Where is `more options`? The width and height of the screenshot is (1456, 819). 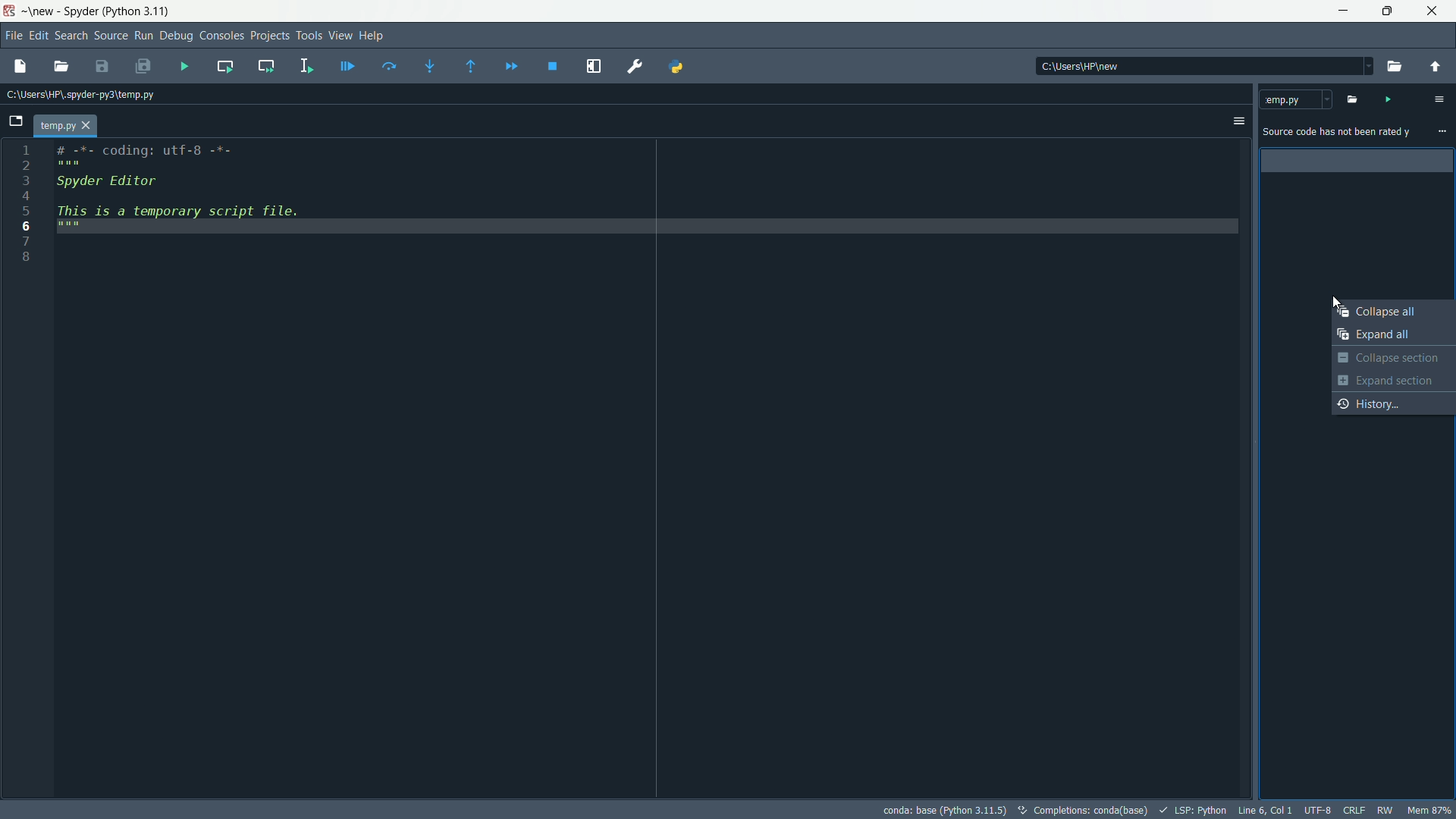 more options is located at coordinates (1439, 99).